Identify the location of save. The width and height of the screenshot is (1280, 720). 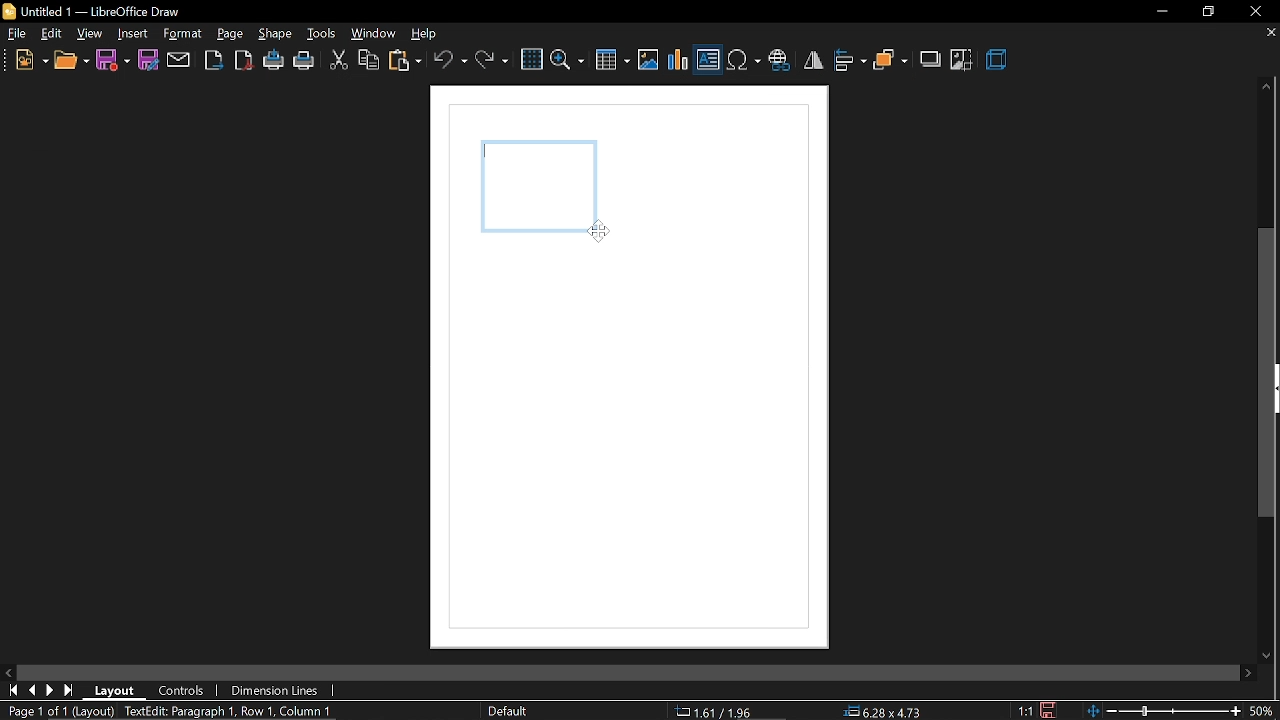
(1046, 709).